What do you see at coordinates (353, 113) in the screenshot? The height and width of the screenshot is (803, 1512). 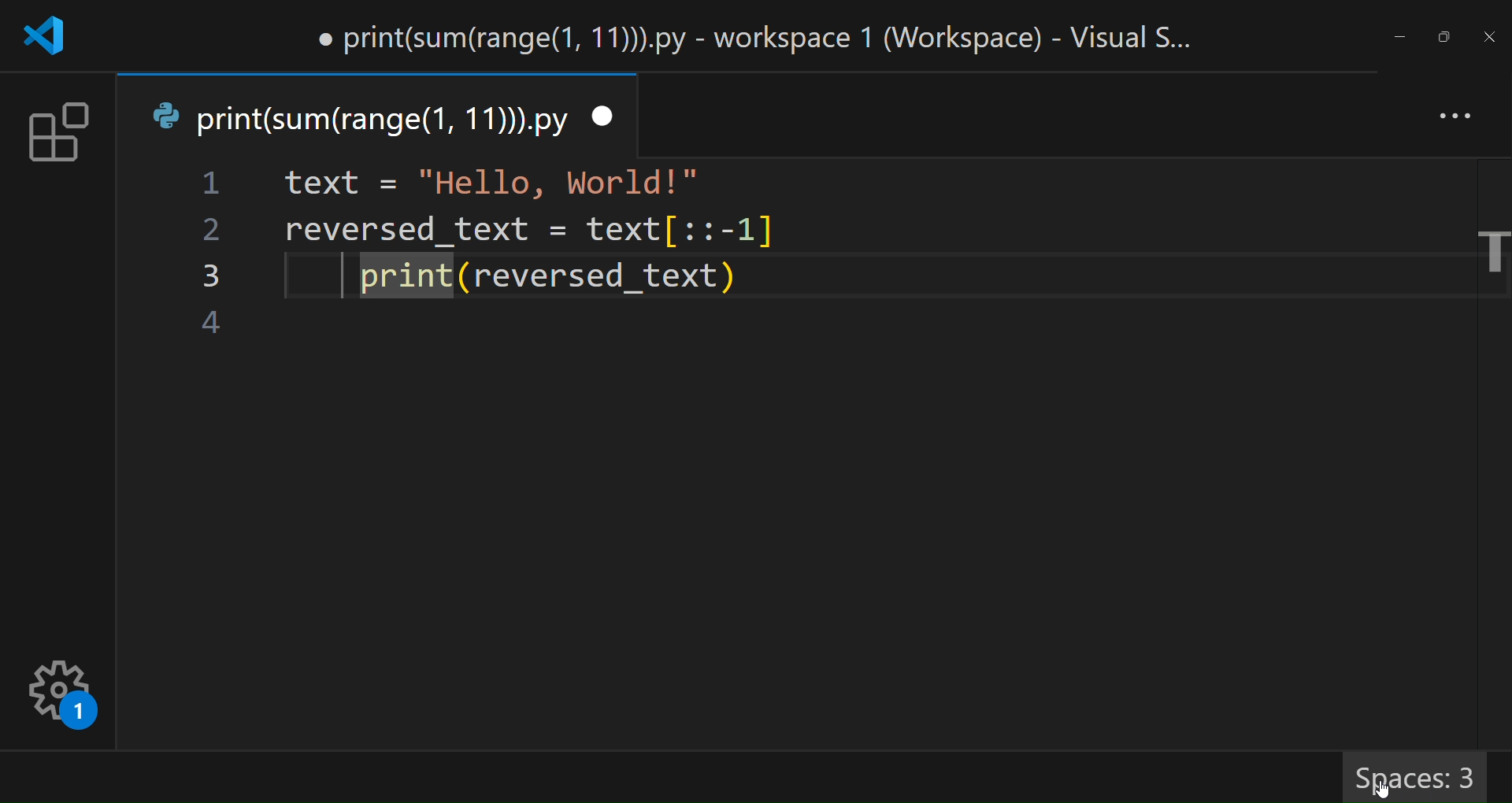 I see `tab name` at bounding box center [353, 113].